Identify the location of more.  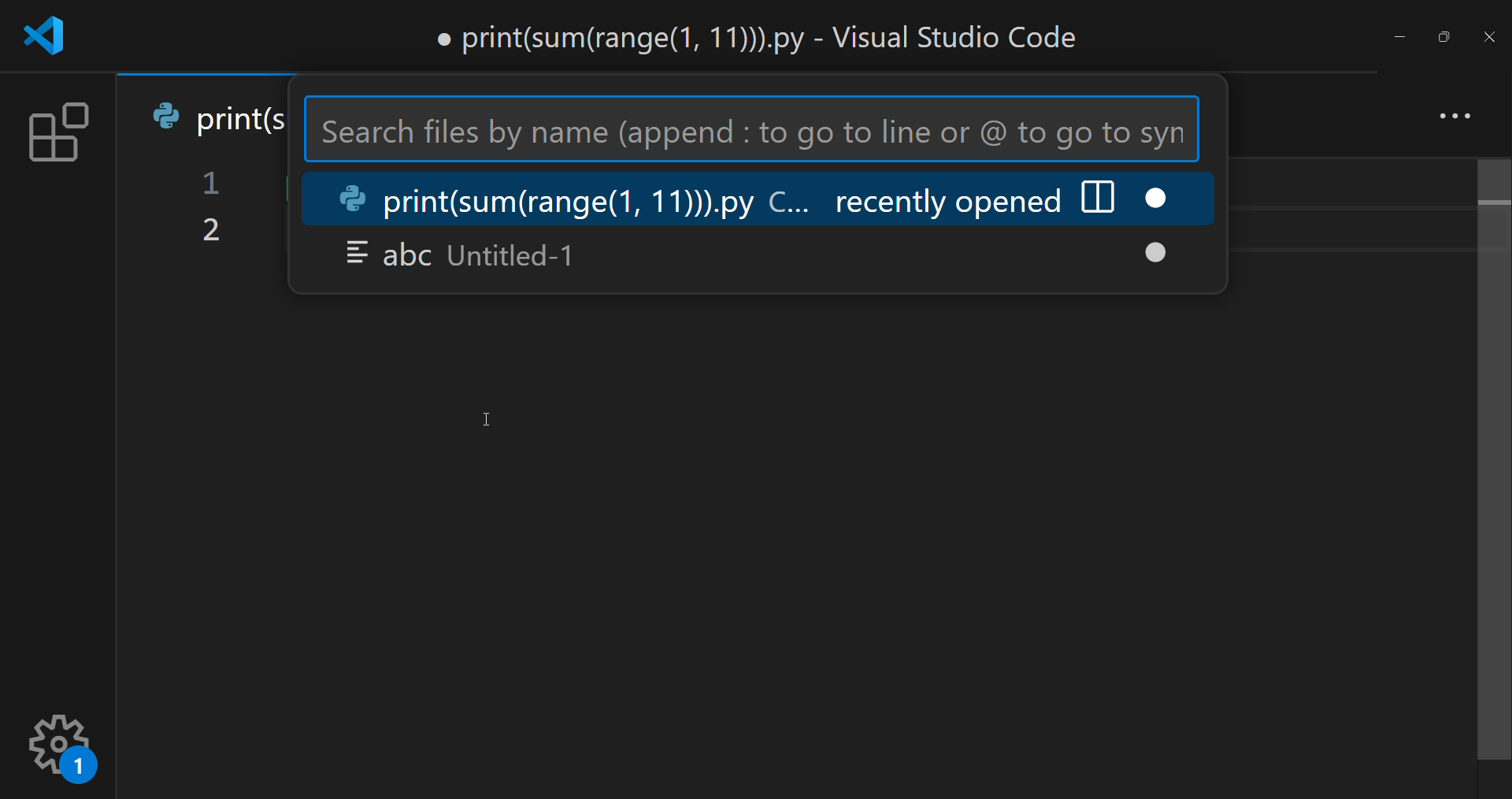
(1451, 113).